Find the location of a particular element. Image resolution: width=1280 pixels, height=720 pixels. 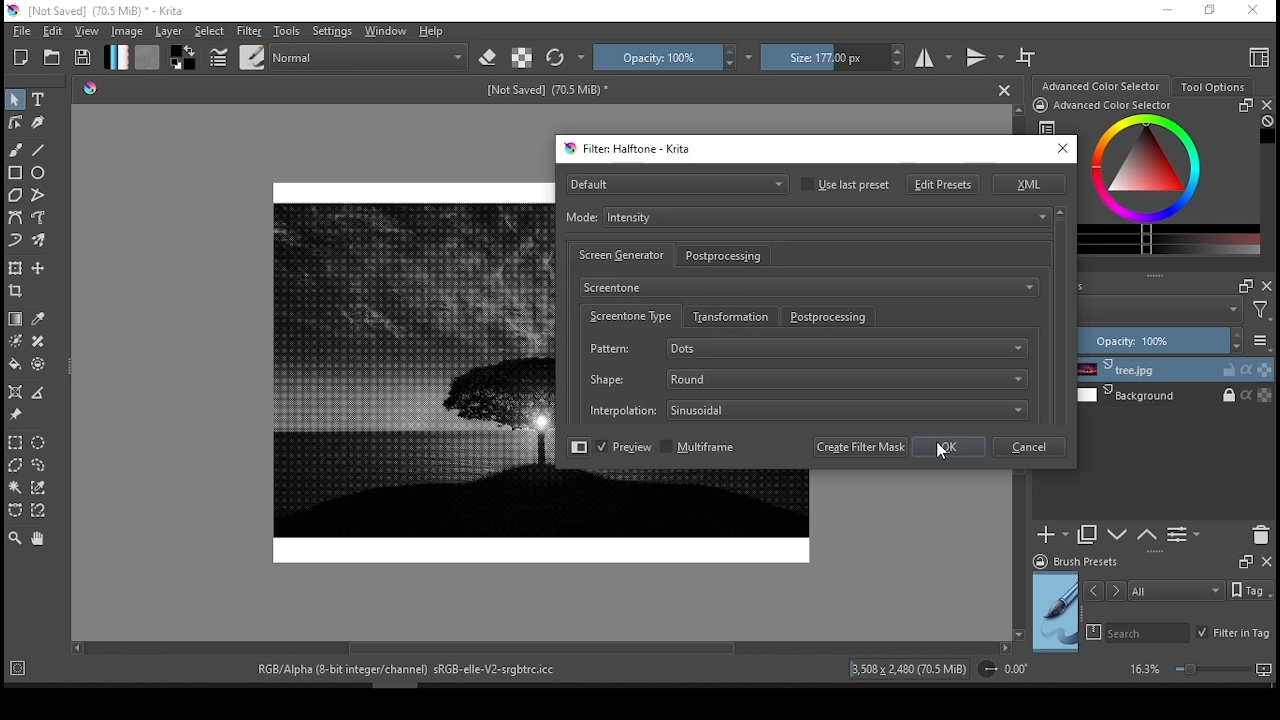

move layer or mask up is located at coordinates (1152, 537).